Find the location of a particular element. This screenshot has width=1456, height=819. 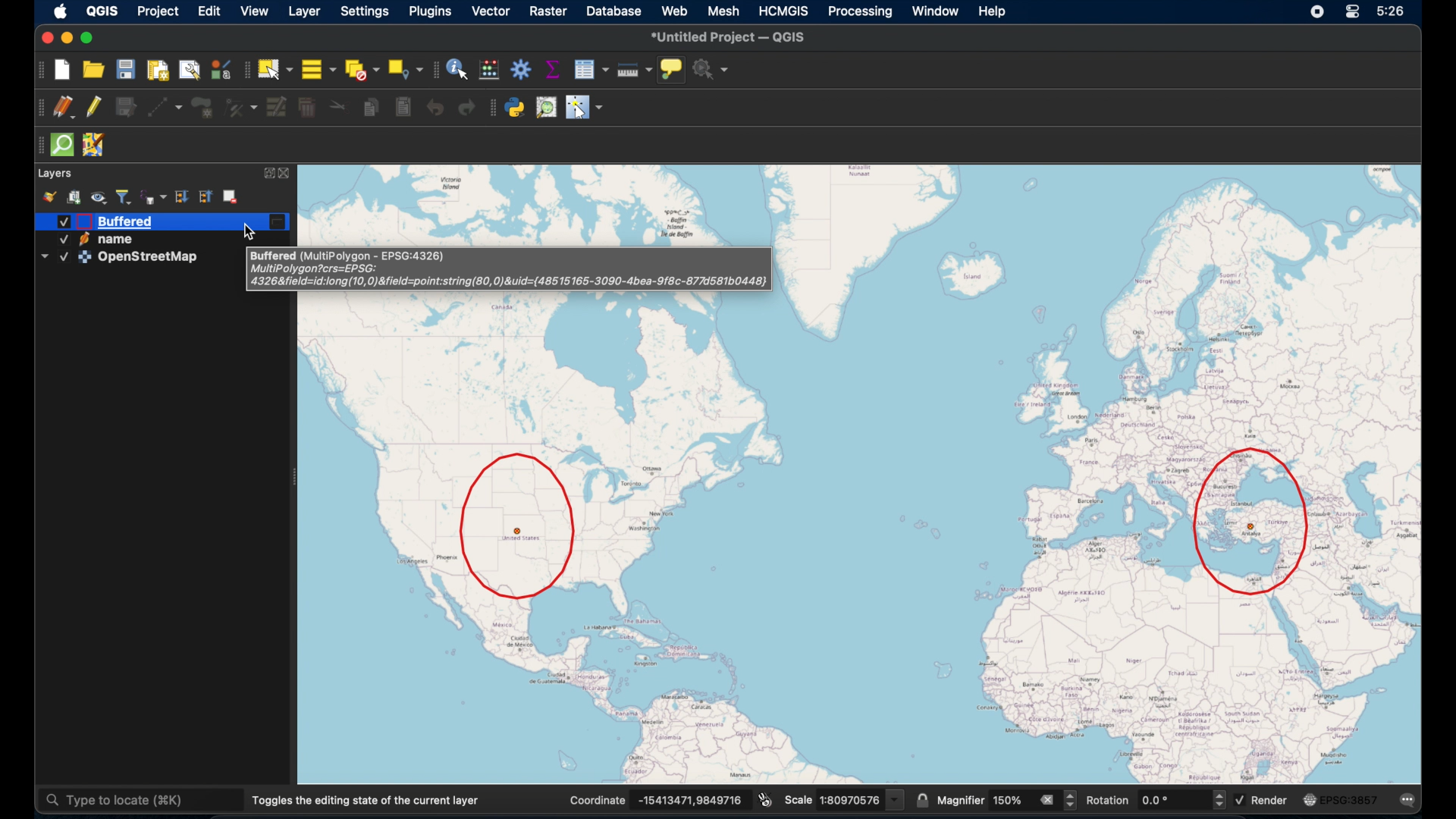

buffer around feature is located at coordinates (1252, 524).